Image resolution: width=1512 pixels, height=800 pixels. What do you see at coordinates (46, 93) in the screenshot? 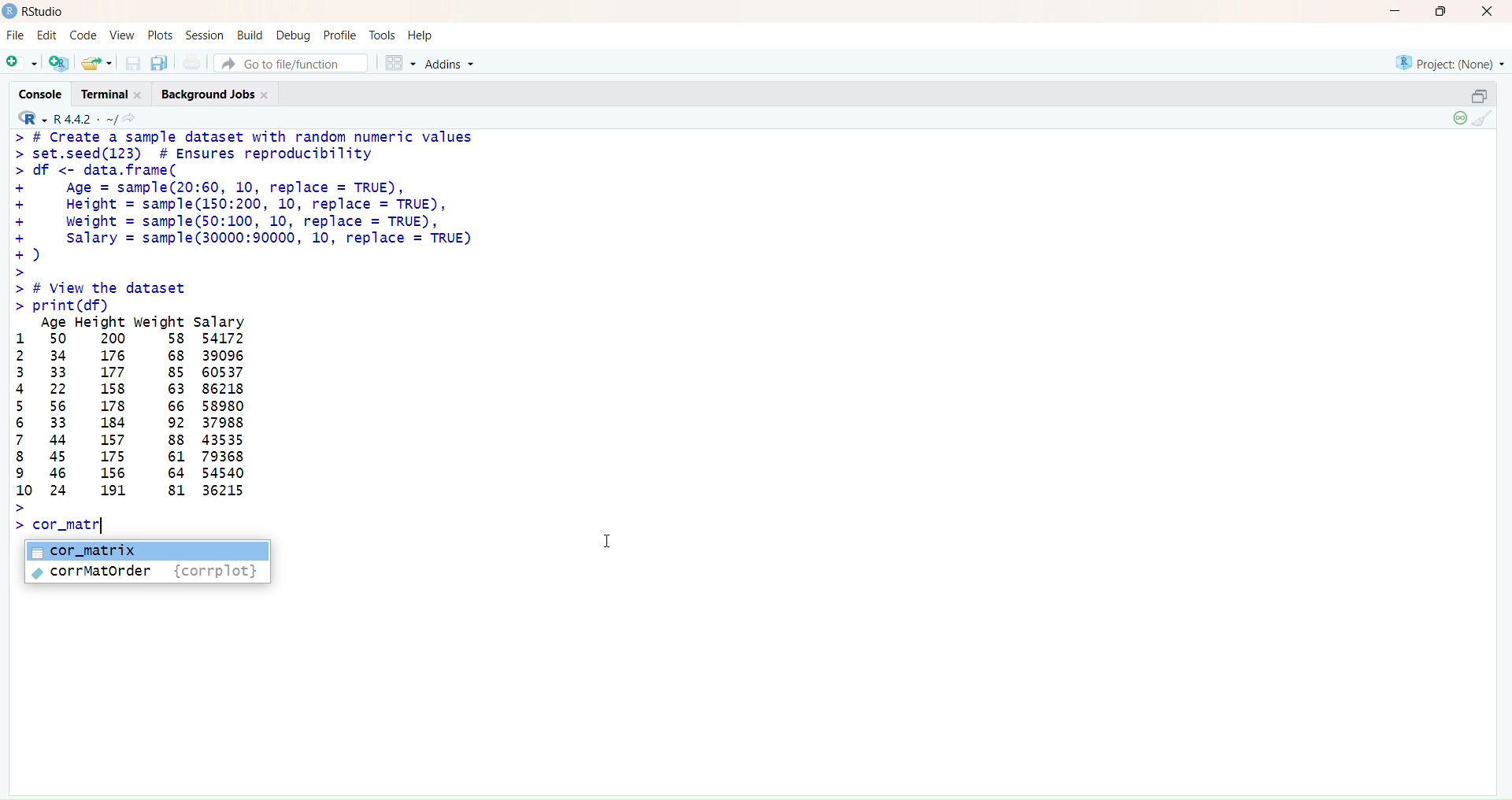
I see `Console` at bounding box center [46, 93].